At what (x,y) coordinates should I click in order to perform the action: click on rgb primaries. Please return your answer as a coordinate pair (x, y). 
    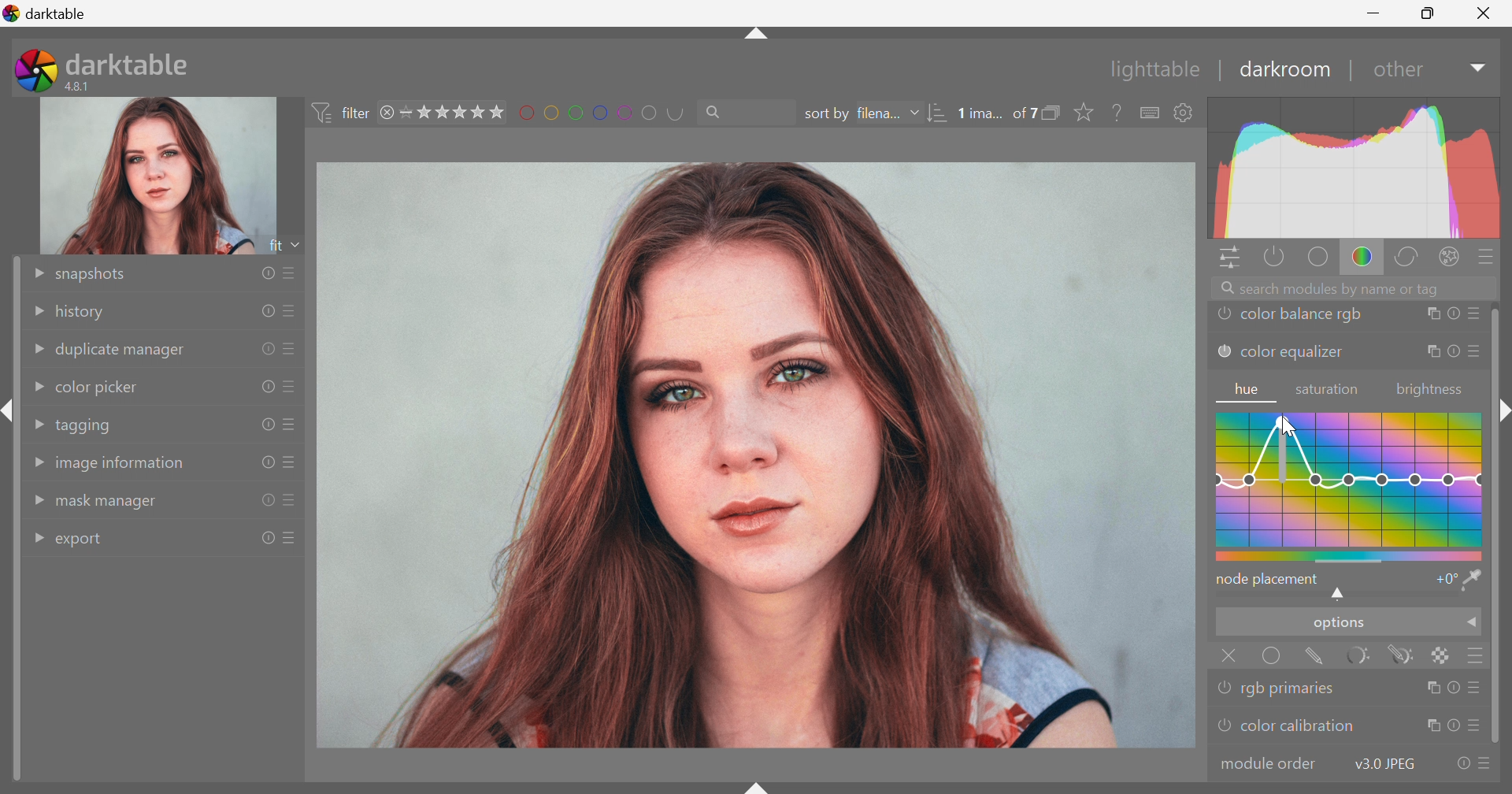
    Looking at the image, I should click on (1294, 689).